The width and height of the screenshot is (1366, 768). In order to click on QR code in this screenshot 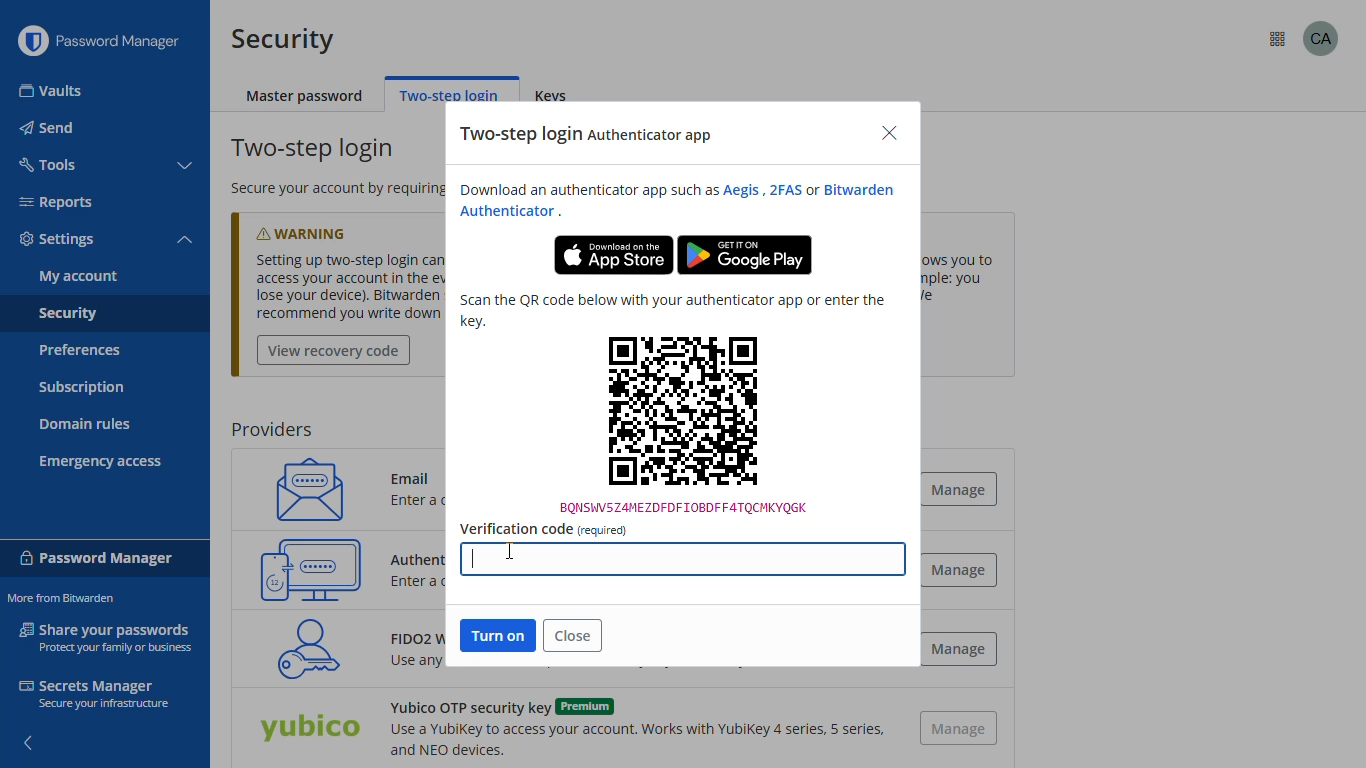, I will do `click(684, 424)`.